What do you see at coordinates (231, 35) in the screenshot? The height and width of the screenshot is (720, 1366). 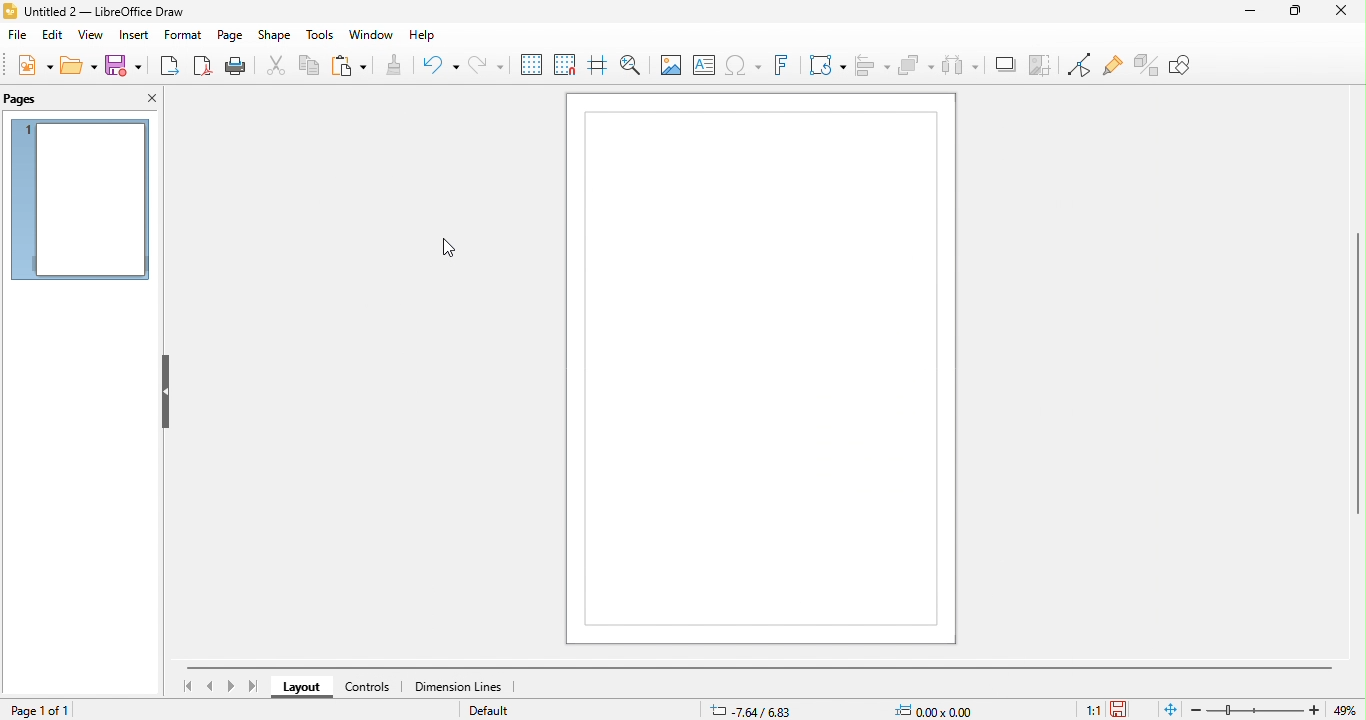 I see `page` at bounding box center [231, 35].